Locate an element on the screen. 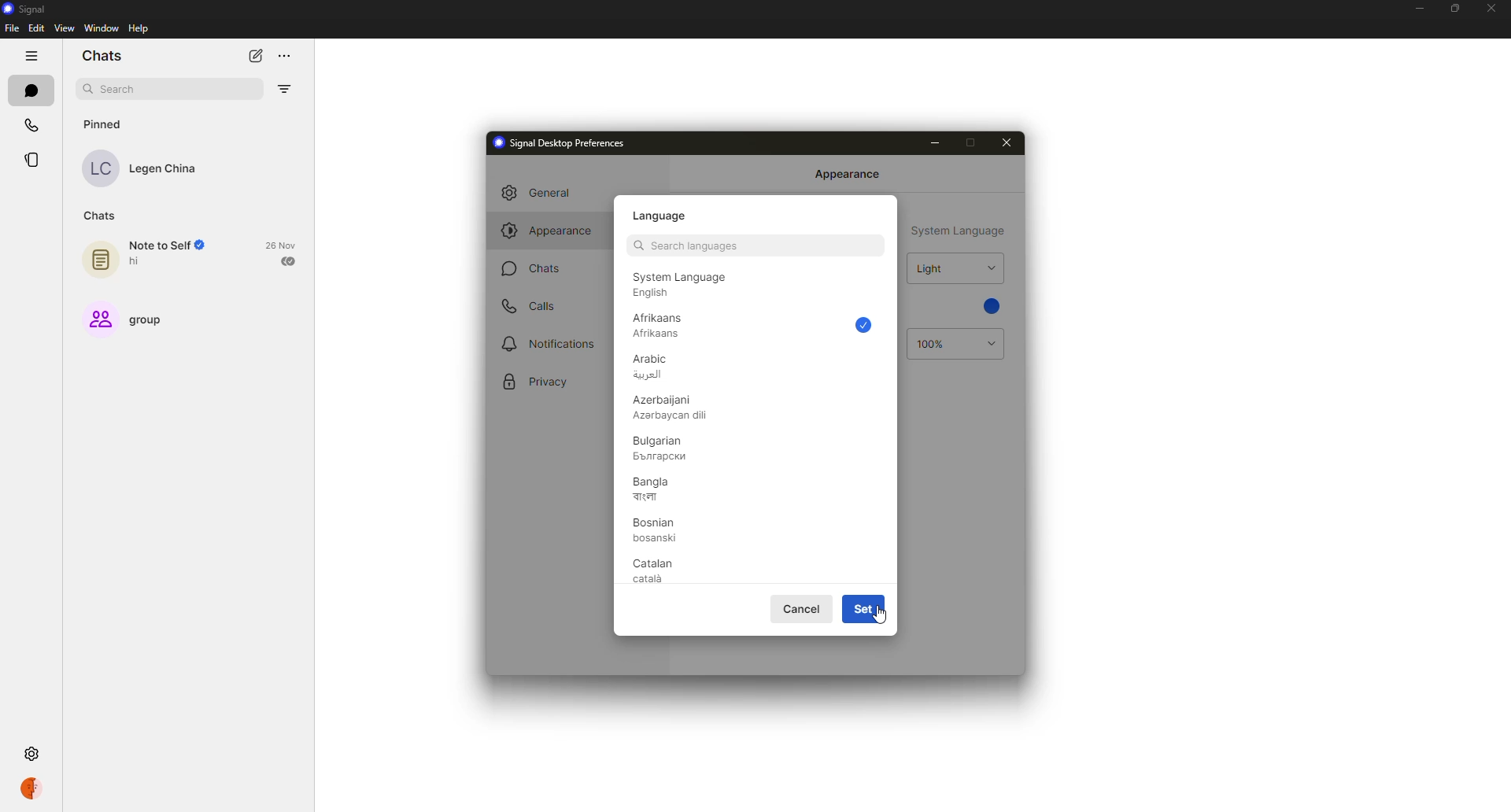  filter is located at coordinates (286, 88).